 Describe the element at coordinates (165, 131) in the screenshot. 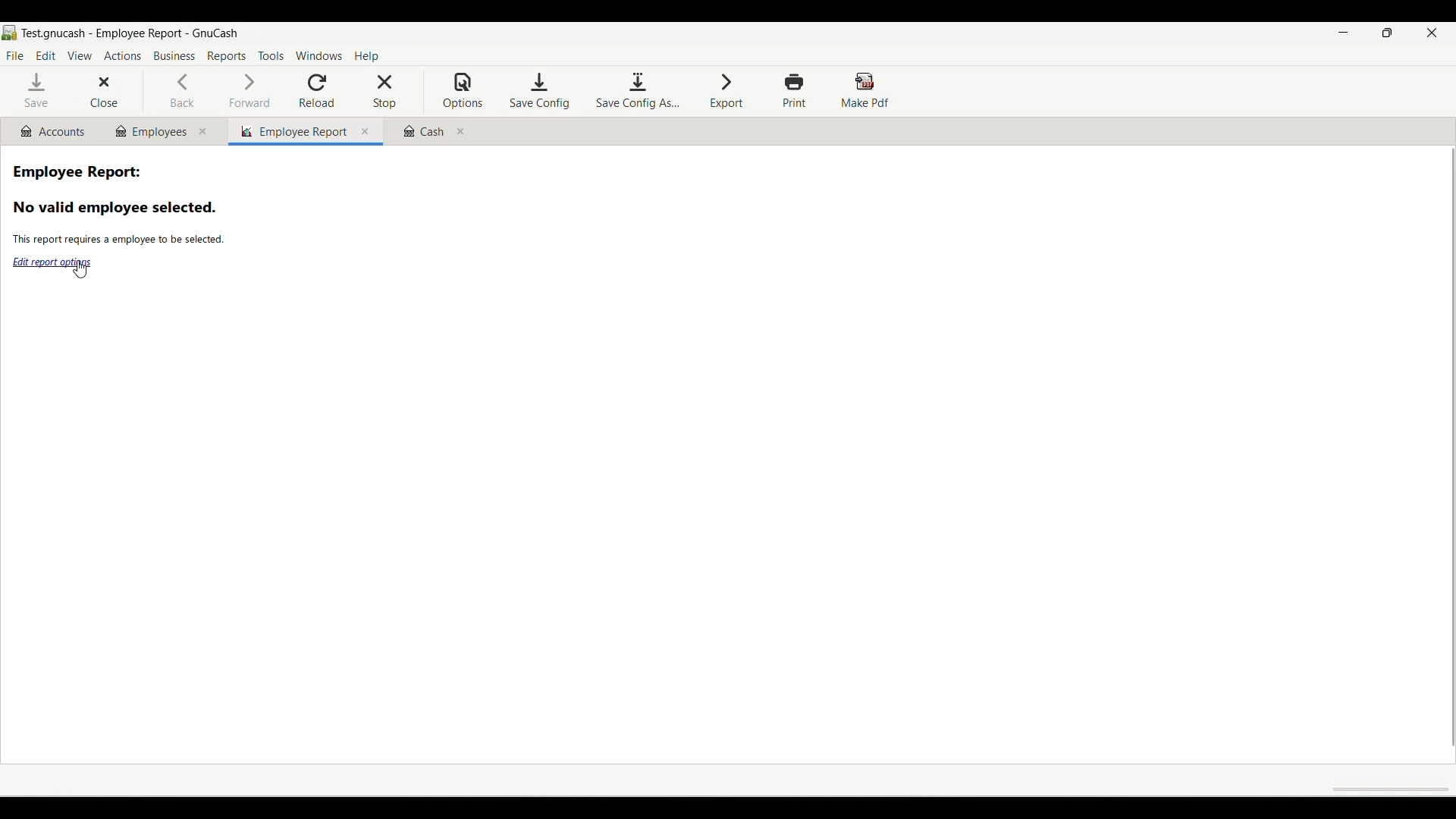

I see `Employees tab` at that location.